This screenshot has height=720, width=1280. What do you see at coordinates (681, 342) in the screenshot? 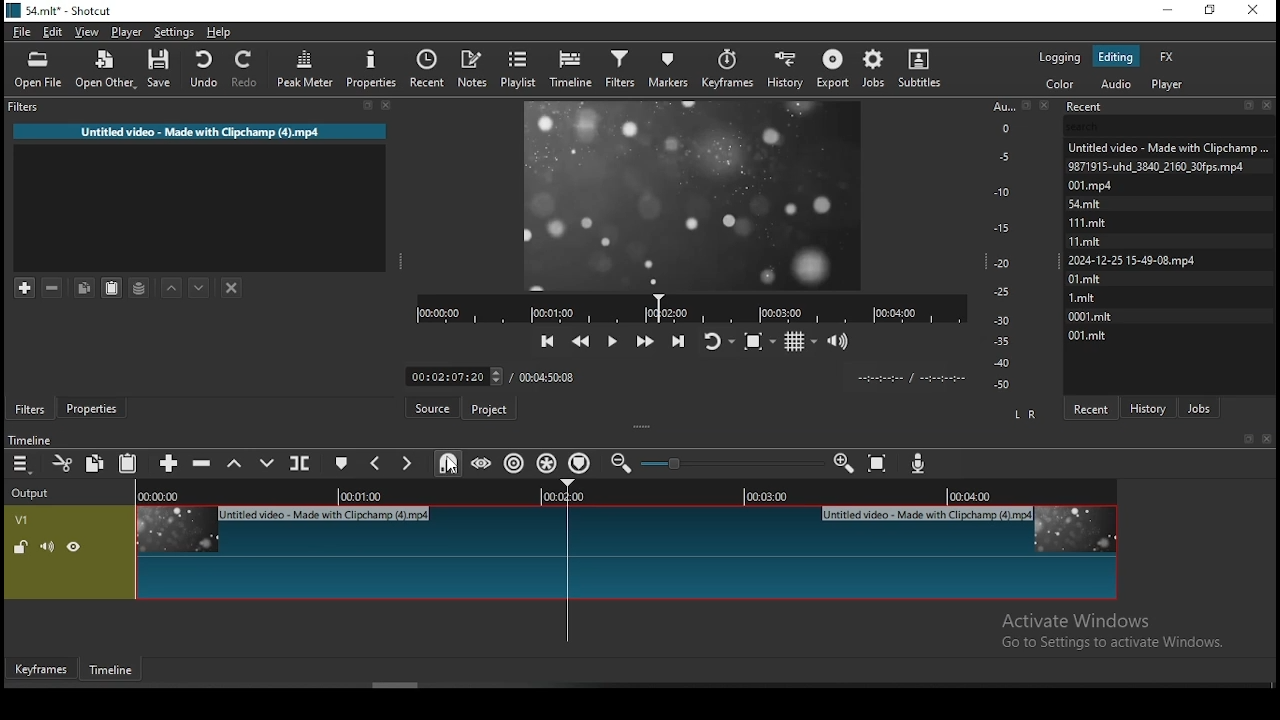
I see `skip to the next point` at bounding box center [681, 342].